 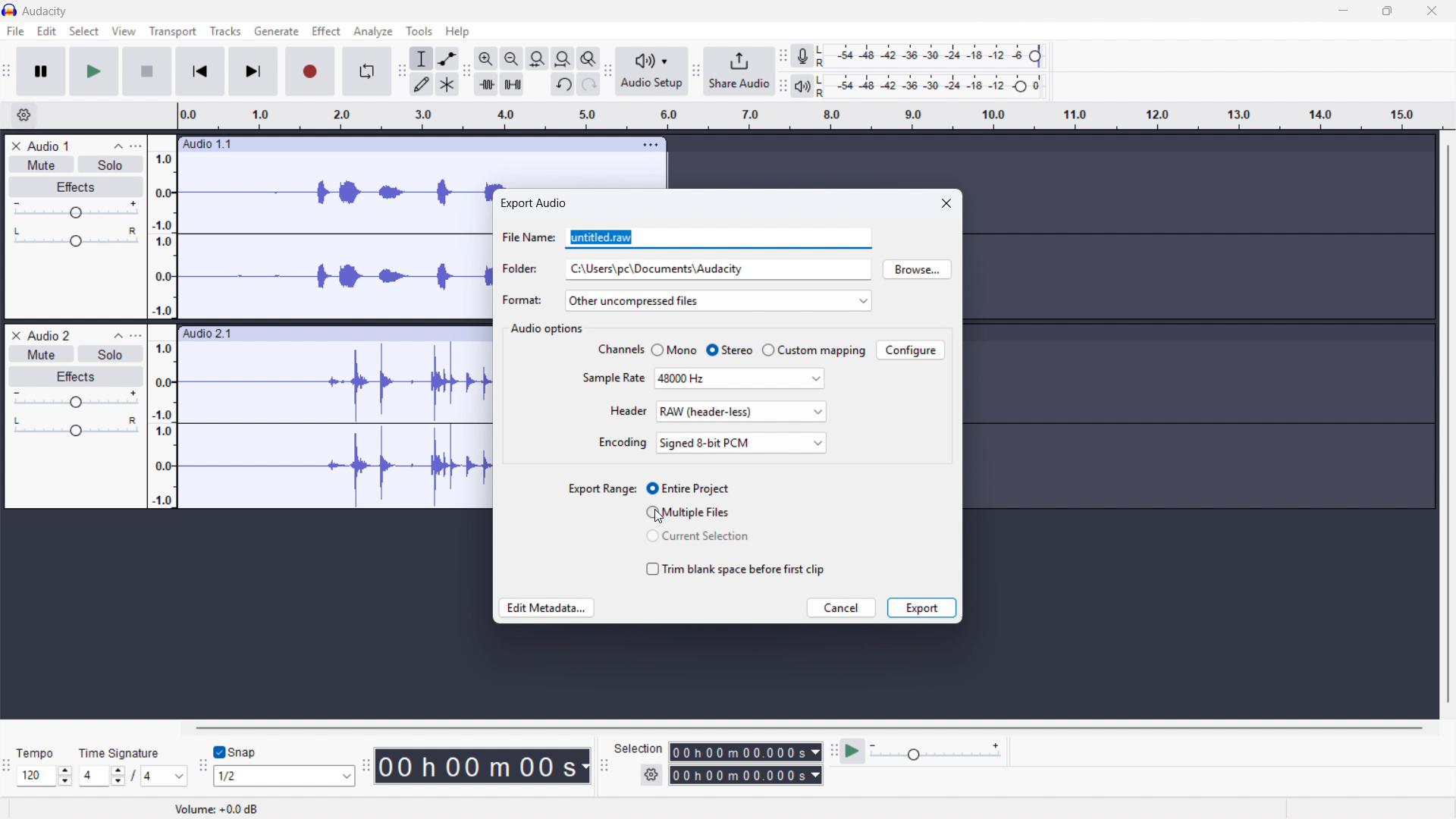 What do you see at coordinates (448, 85) in the screenshot?
I see `Multi - tool` at bounding box center [448, 85].